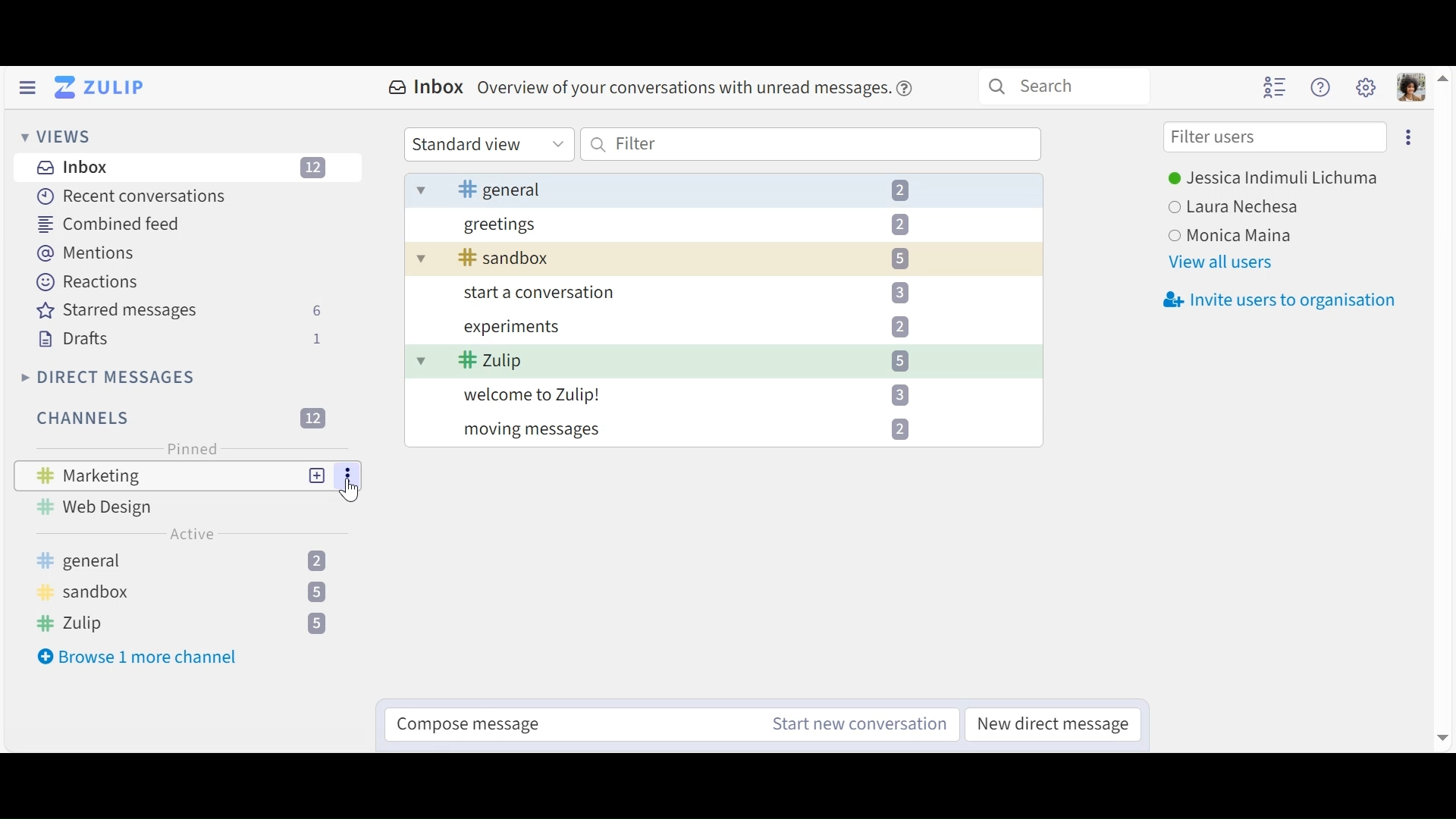  I want to click on Drafts, so click(179, 339).